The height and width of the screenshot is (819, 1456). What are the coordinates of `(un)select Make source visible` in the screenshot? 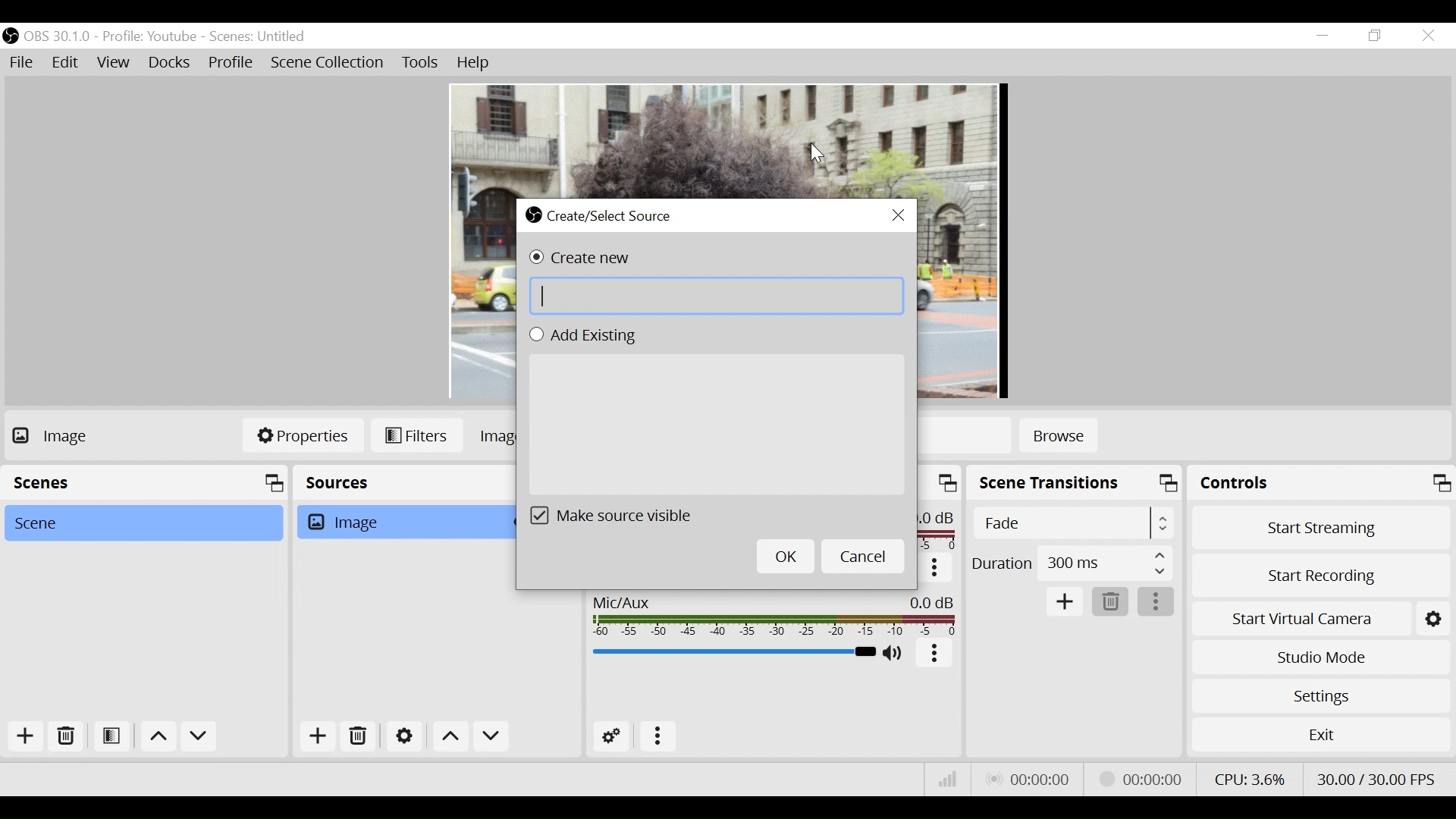 It's located at (621, 516).